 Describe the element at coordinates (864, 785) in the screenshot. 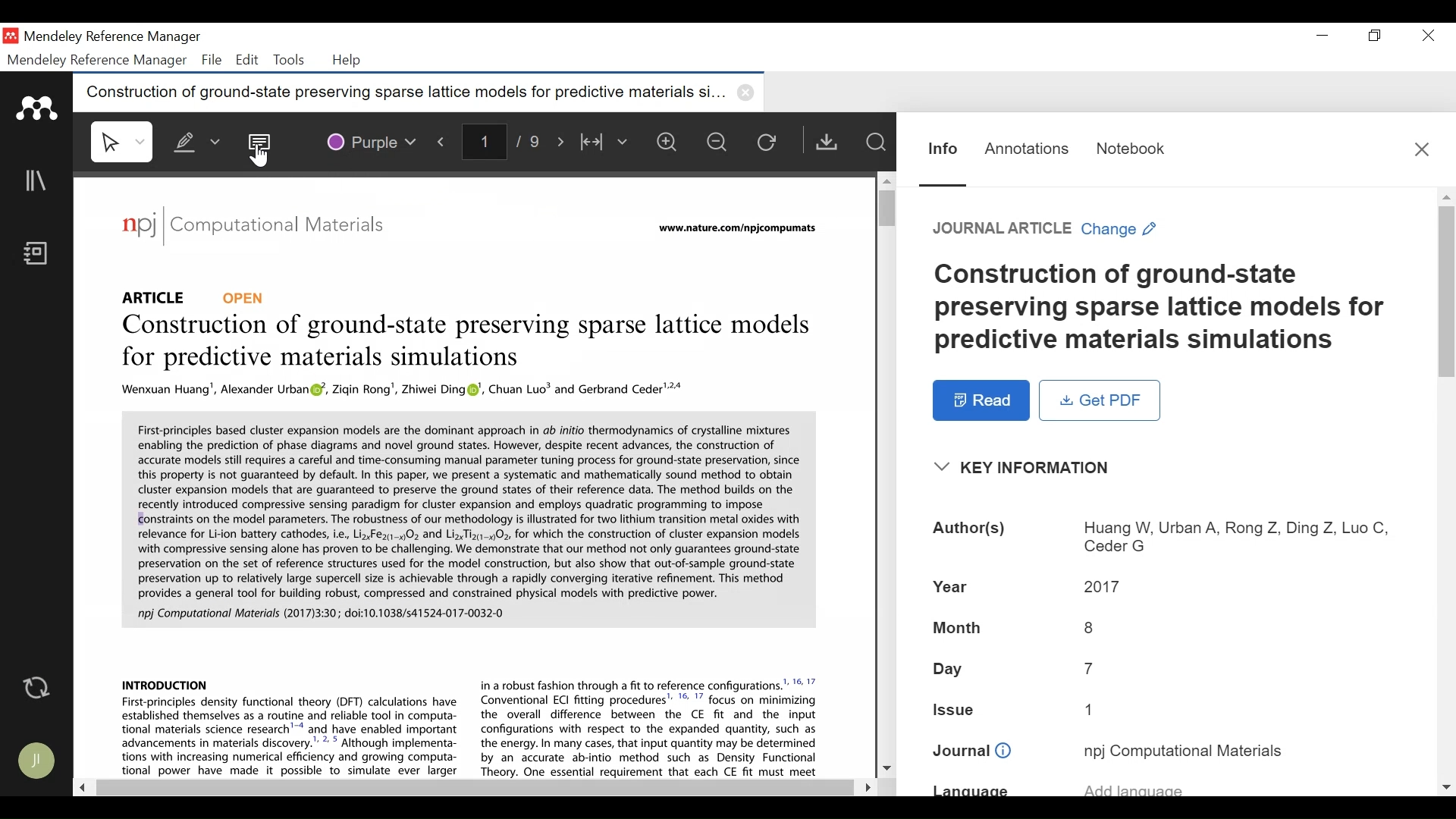

I see `Scroll Right` at that location.